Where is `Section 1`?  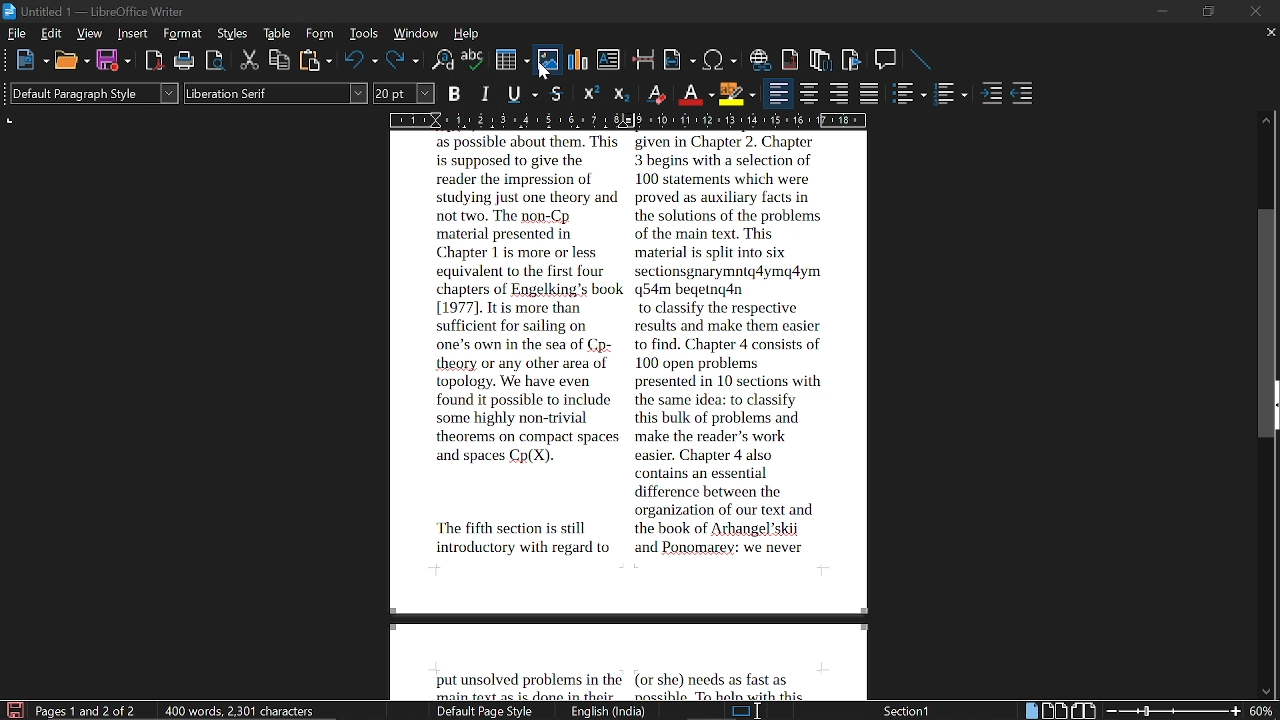
Section 1 is located at coordinates (903, 710).